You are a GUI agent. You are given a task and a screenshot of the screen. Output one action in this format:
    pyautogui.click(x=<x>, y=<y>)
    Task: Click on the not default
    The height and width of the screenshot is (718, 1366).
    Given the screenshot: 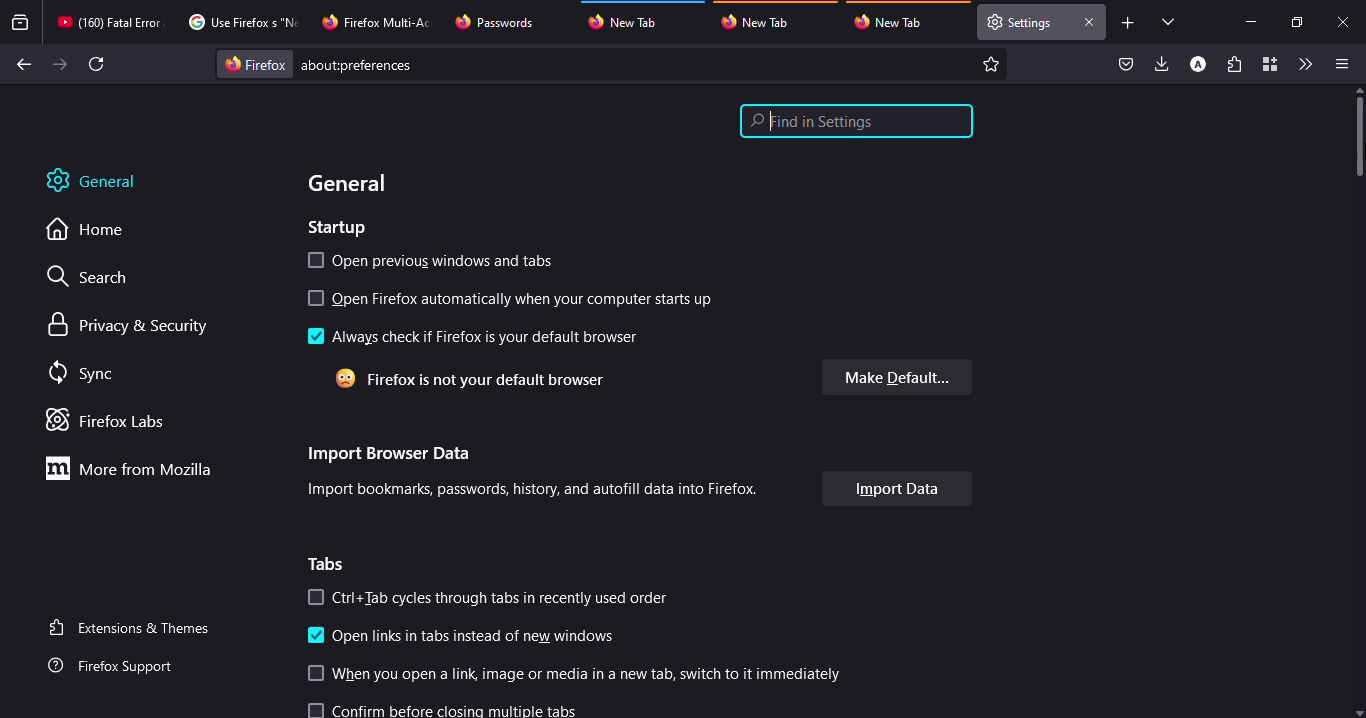 What is the action you would take?
    pyautogui.click(x=478, y=377)
    